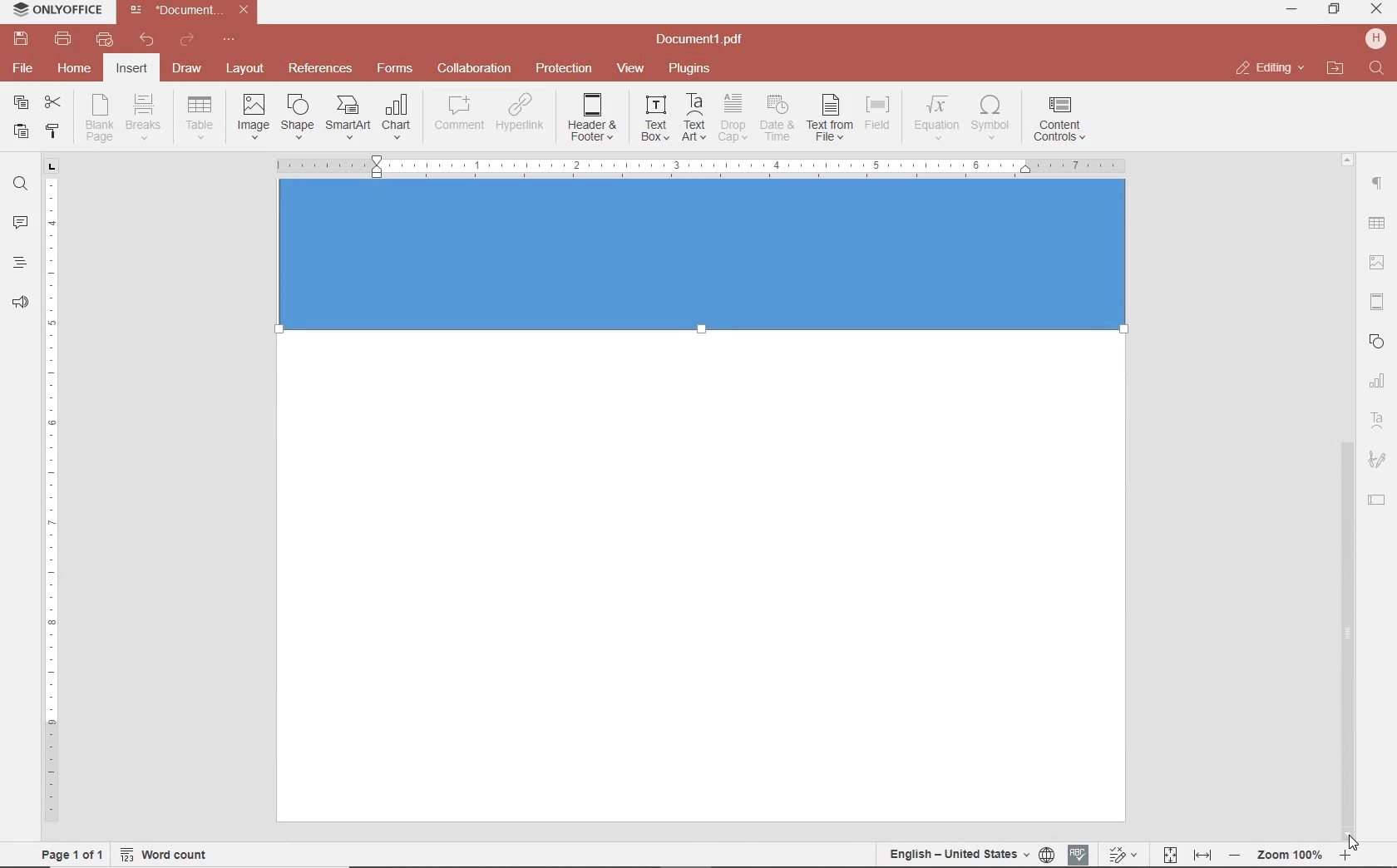 Image resolution: width=1397 pixels, height=868 pixels. Describe the element at coordinates (693, 69) in the screenshot. I see `plugins` at that location.